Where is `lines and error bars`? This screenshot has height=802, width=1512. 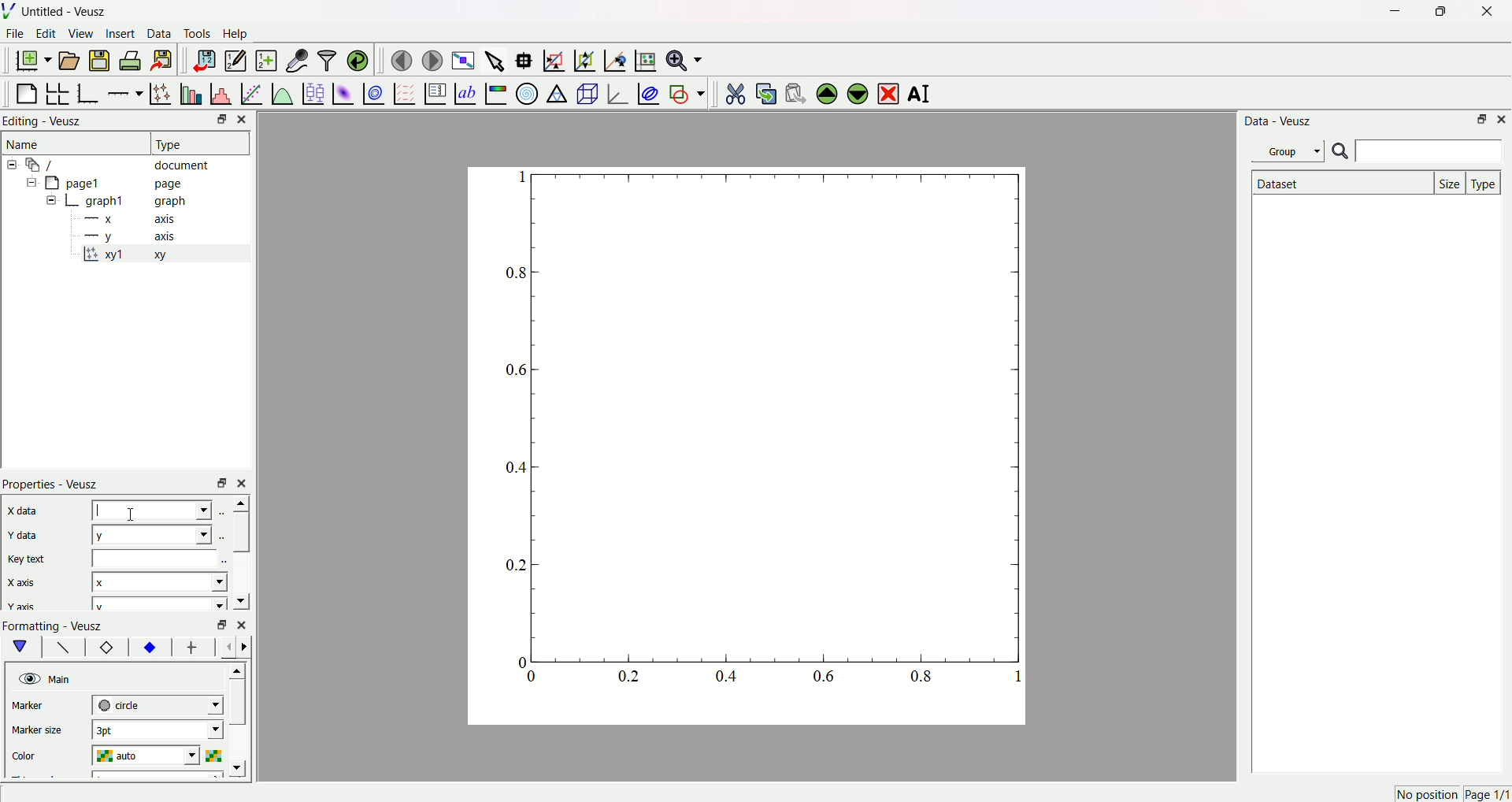 lines and error bars is located at coordinates (160, 92).